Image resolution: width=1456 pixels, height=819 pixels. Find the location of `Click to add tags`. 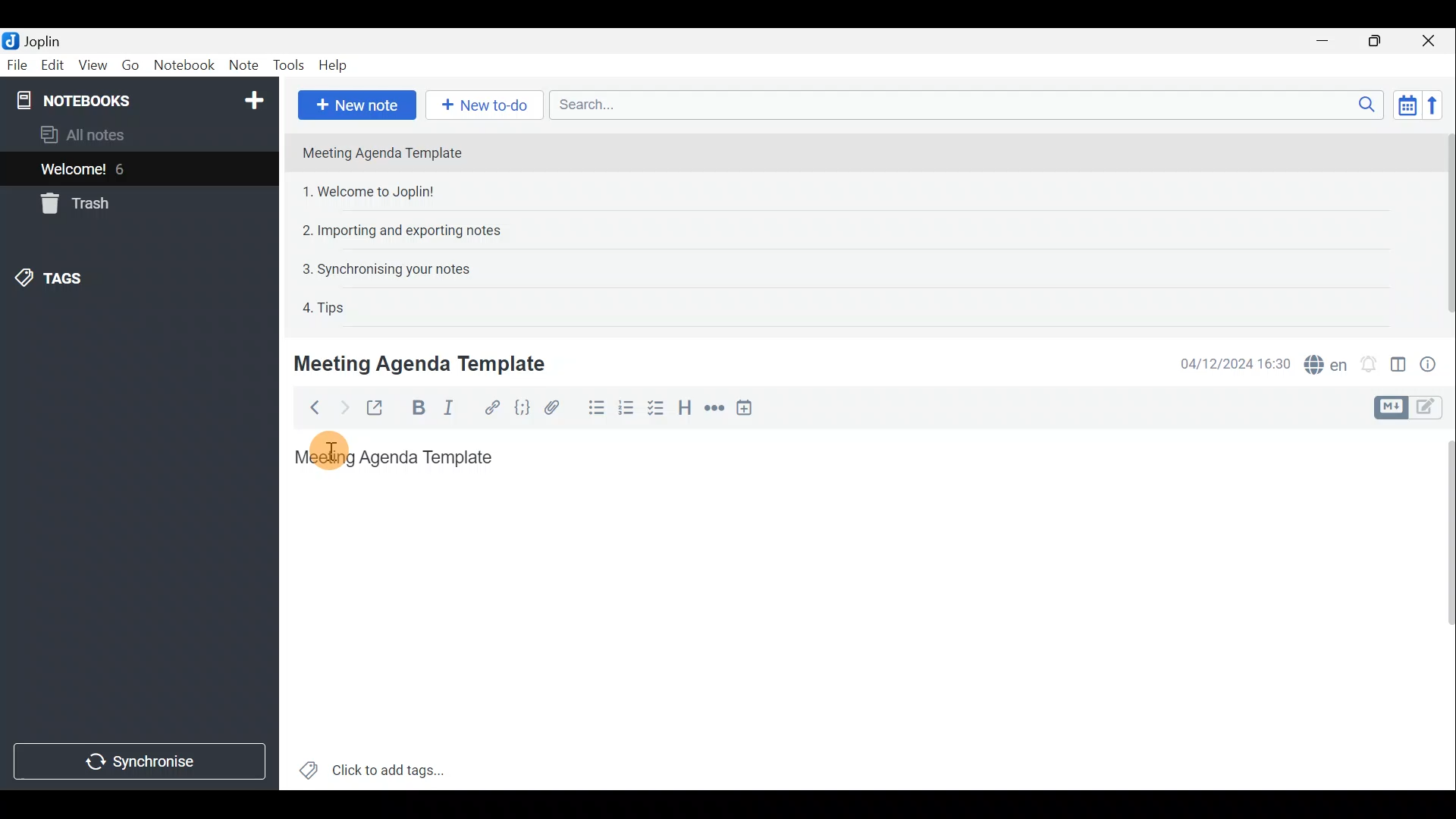

Click to add tags is located at coordinates (393, 767).